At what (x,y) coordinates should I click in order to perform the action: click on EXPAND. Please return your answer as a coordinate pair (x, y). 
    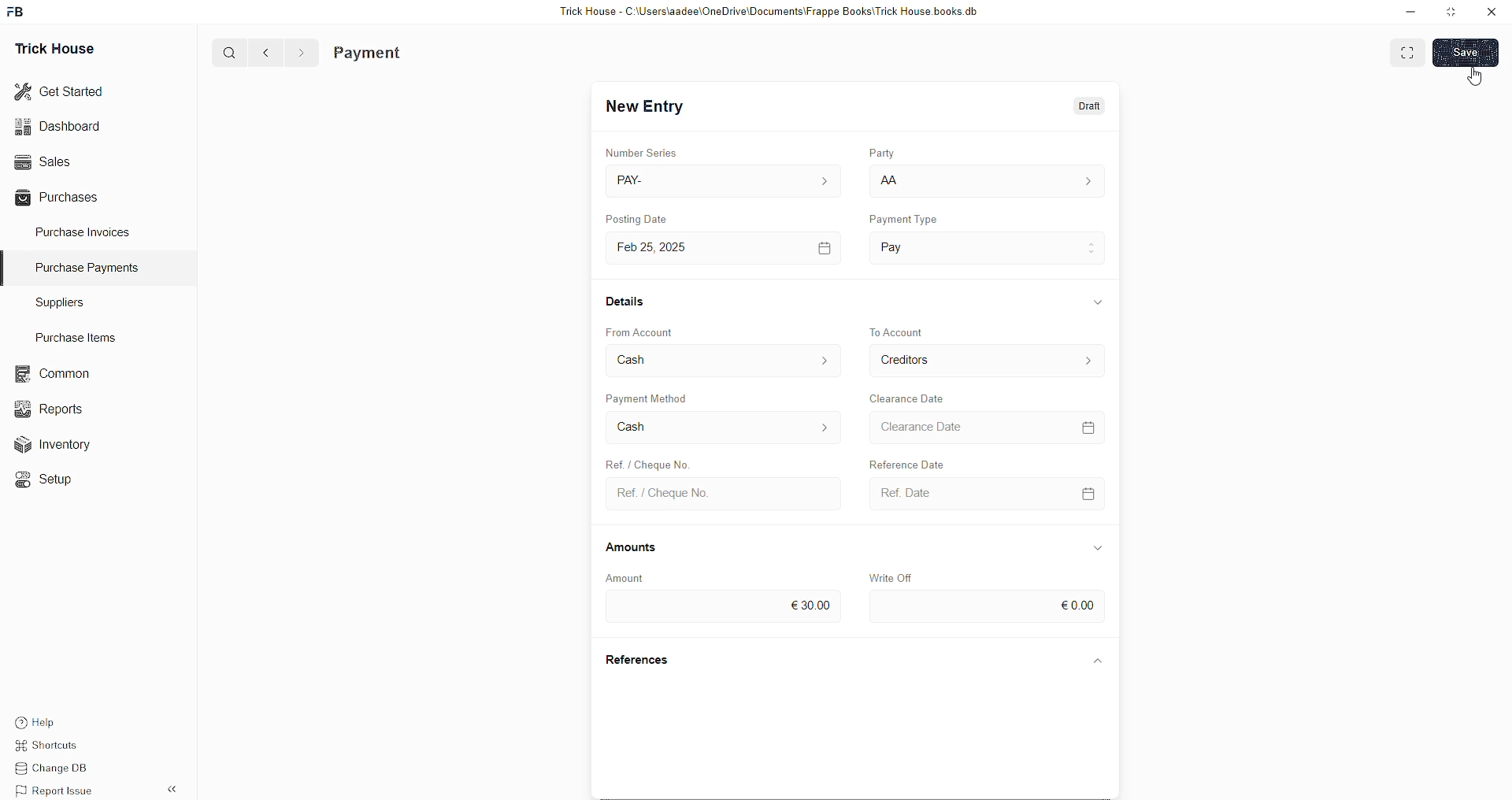
    Looking at the image, I should click on (1410, 51).